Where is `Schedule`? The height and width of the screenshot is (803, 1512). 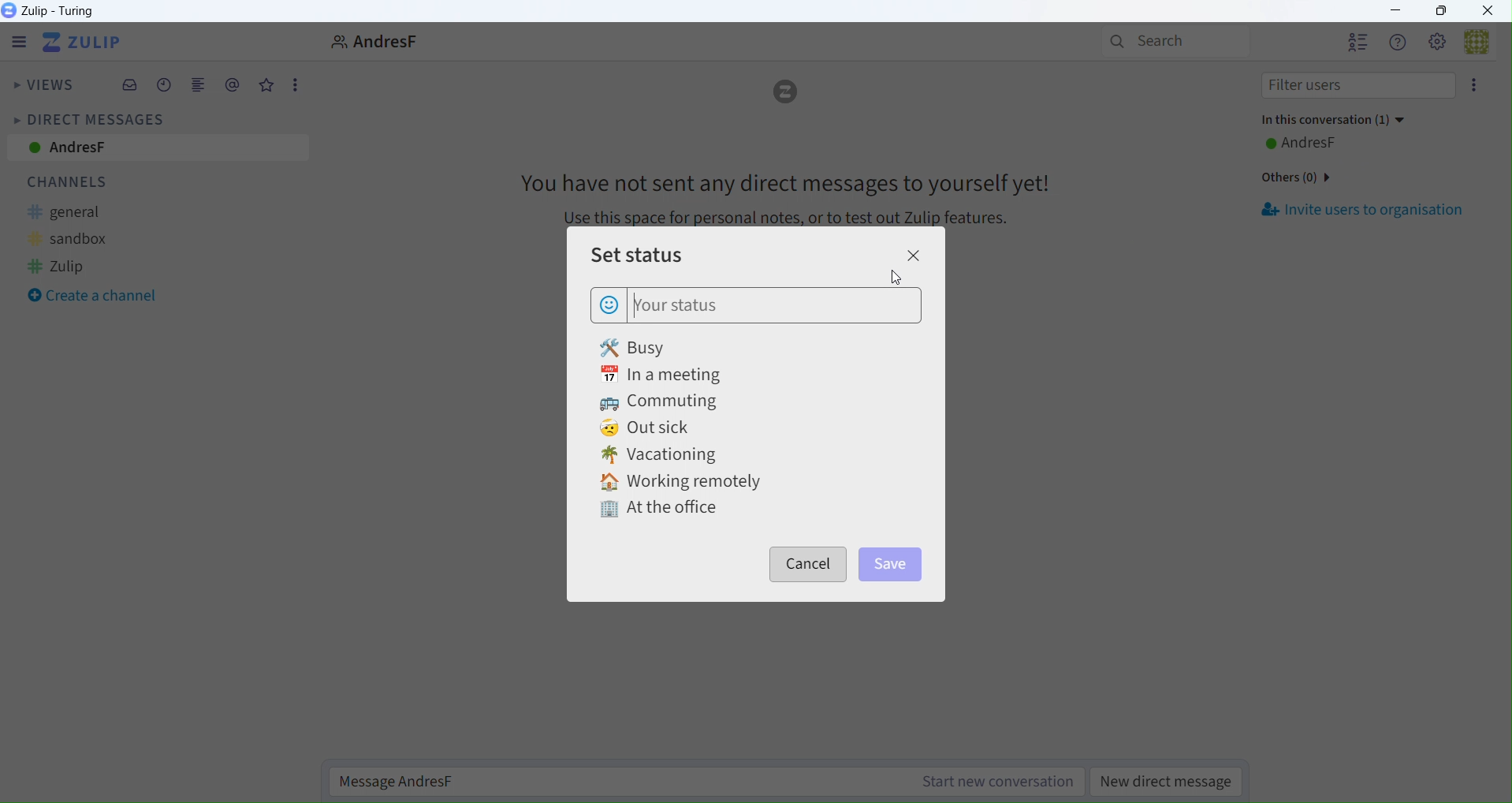
Schedule is located at coordinates (165, 88).